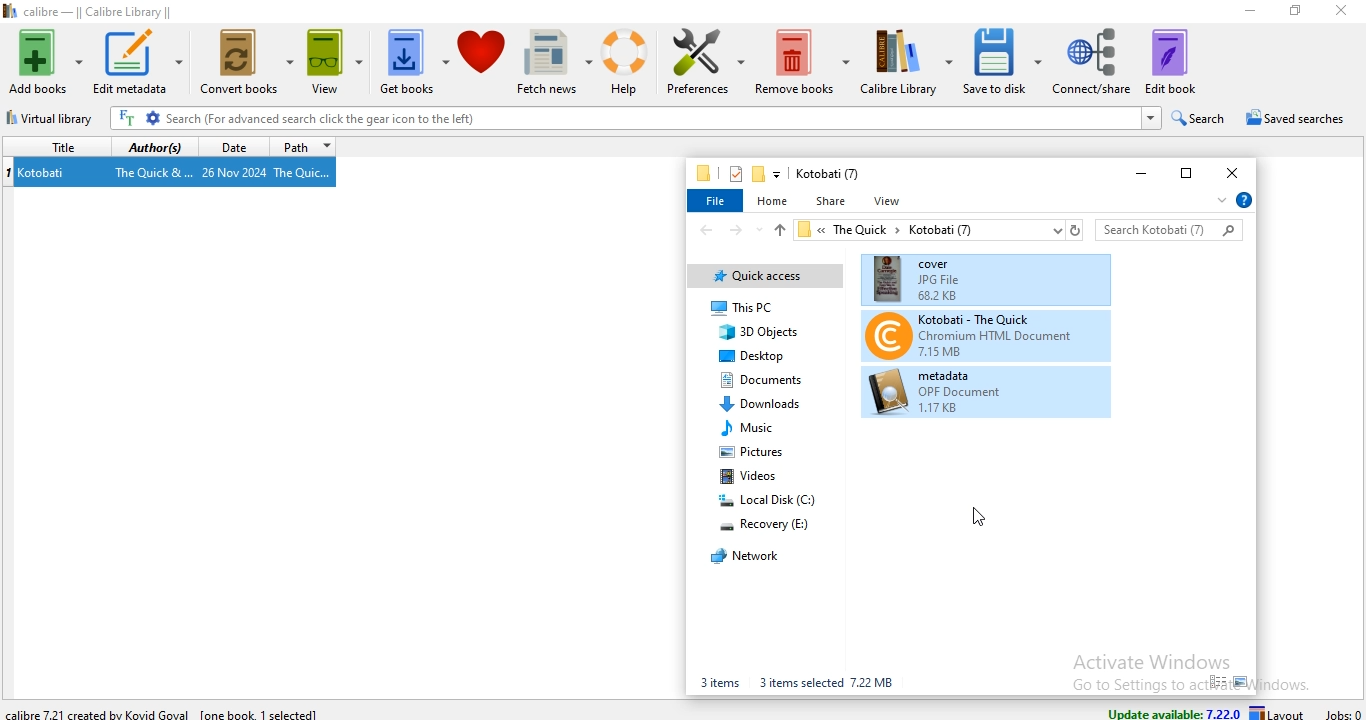 The width and height of the screenshot is (1366, 720). What do you see at coordinates (414, 63) in the screenshot?
I see `get books` at bounding box center [414, 63].